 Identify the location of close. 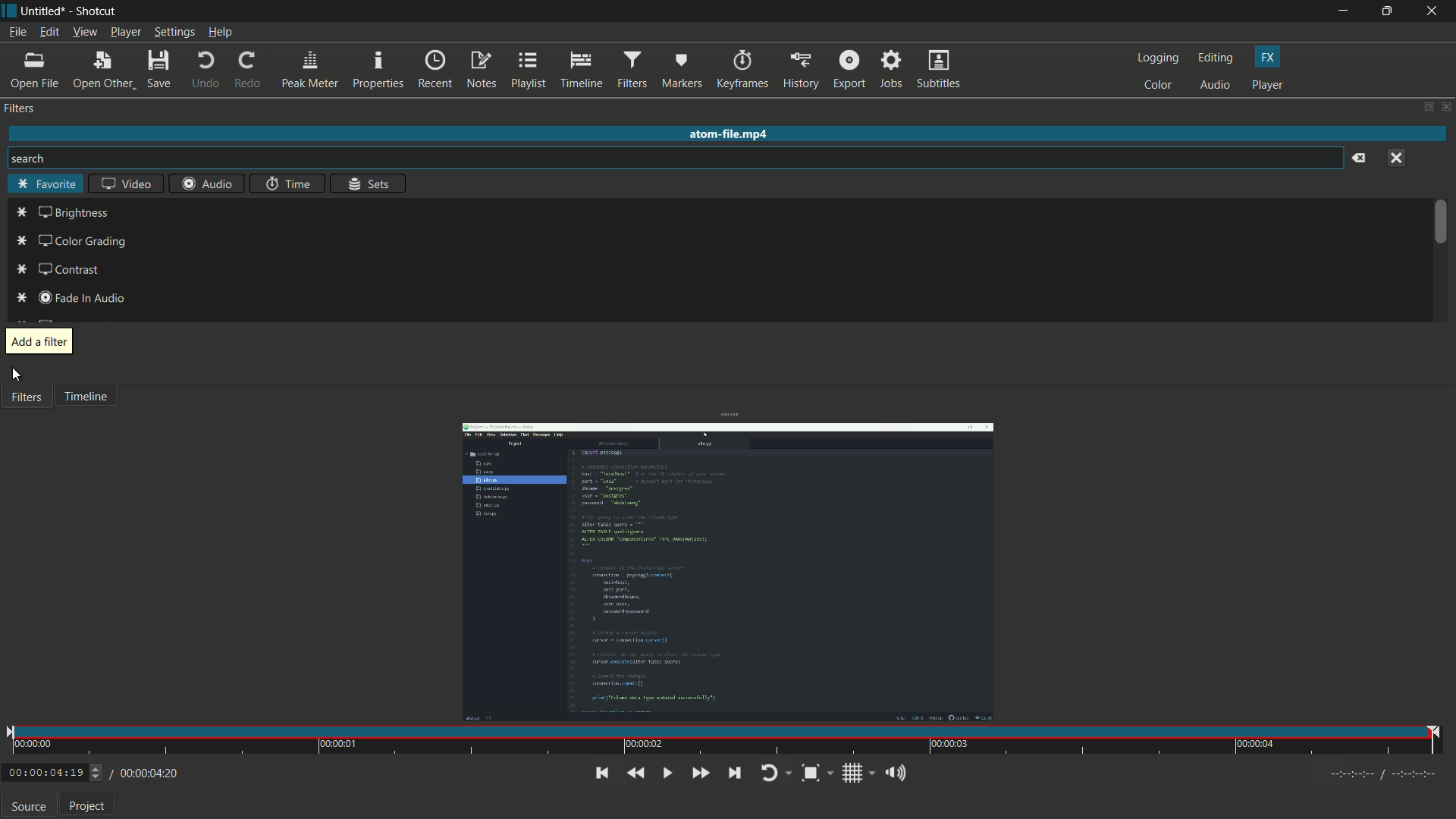
(1447, 106).